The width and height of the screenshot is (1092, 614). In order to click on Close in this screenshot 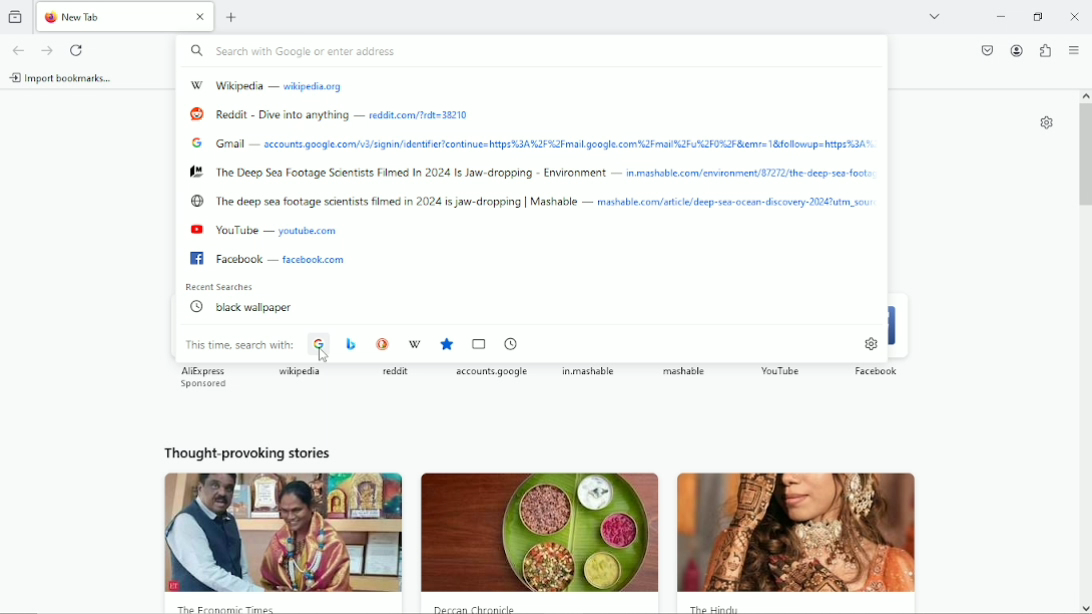, I will do `click(1074, 17)`.